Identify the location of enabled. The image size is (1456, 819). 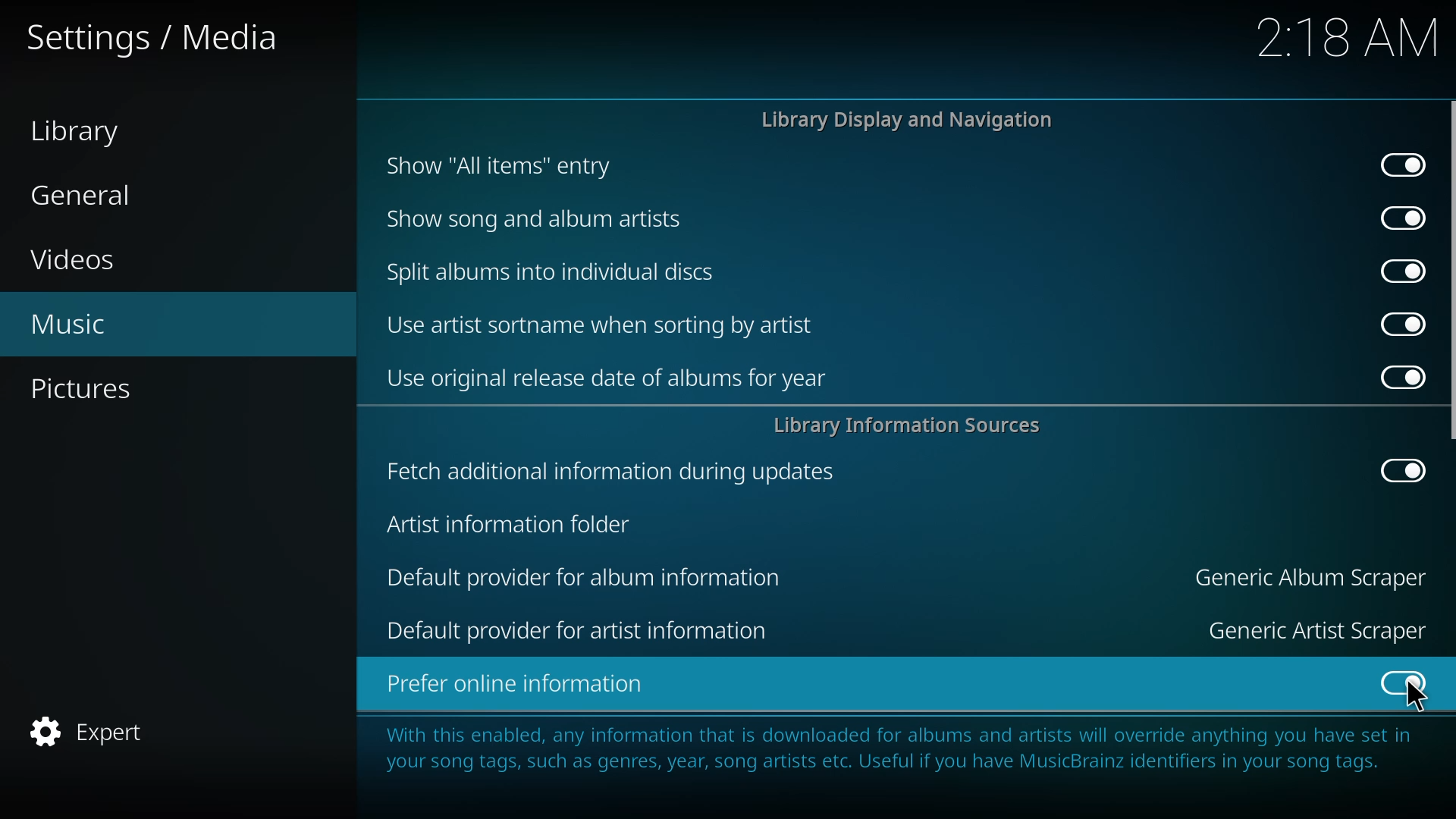
(1401, 165).